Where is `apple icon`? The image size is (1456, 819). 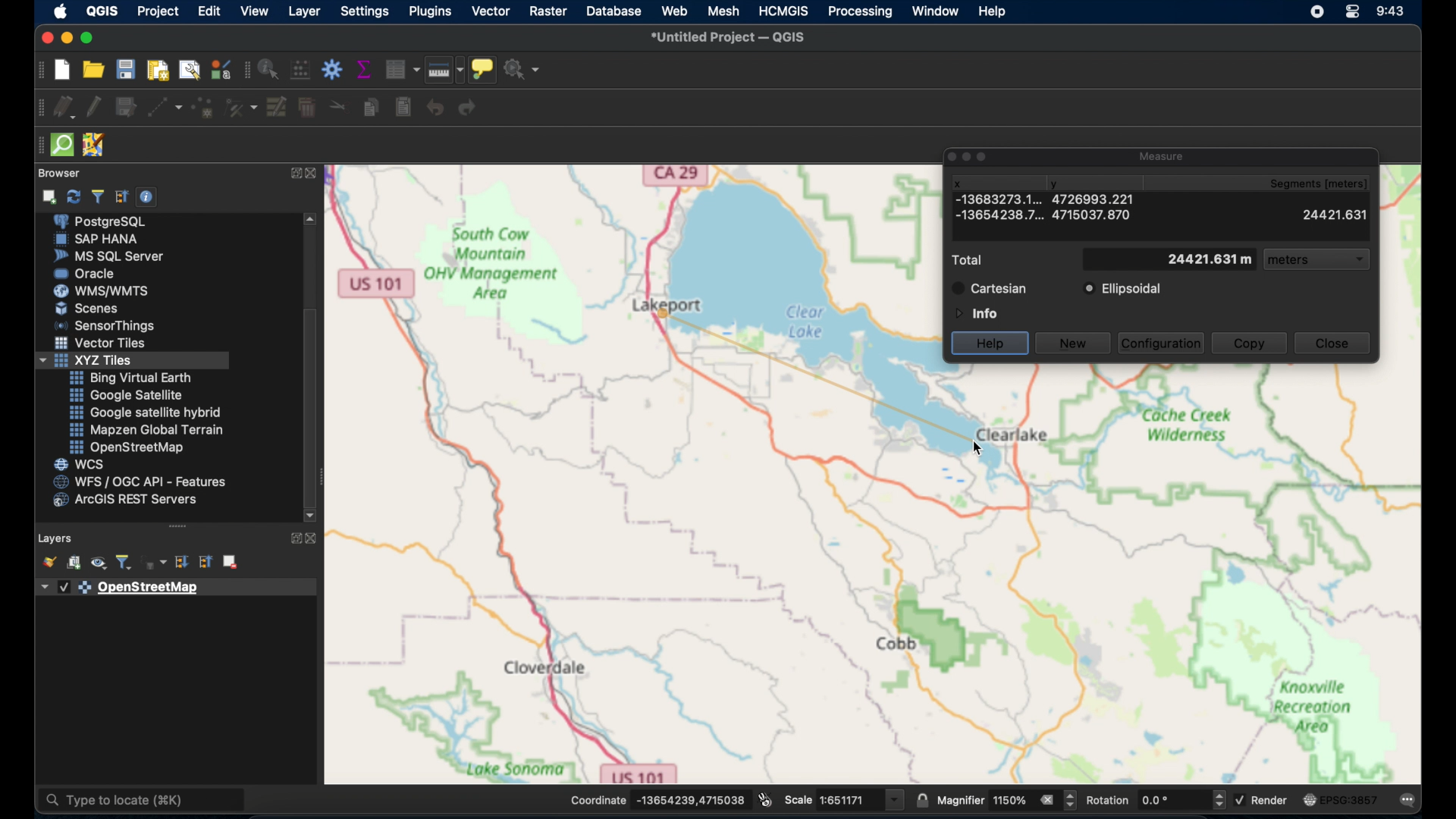 apple icon is located at coordinates (61, 11).